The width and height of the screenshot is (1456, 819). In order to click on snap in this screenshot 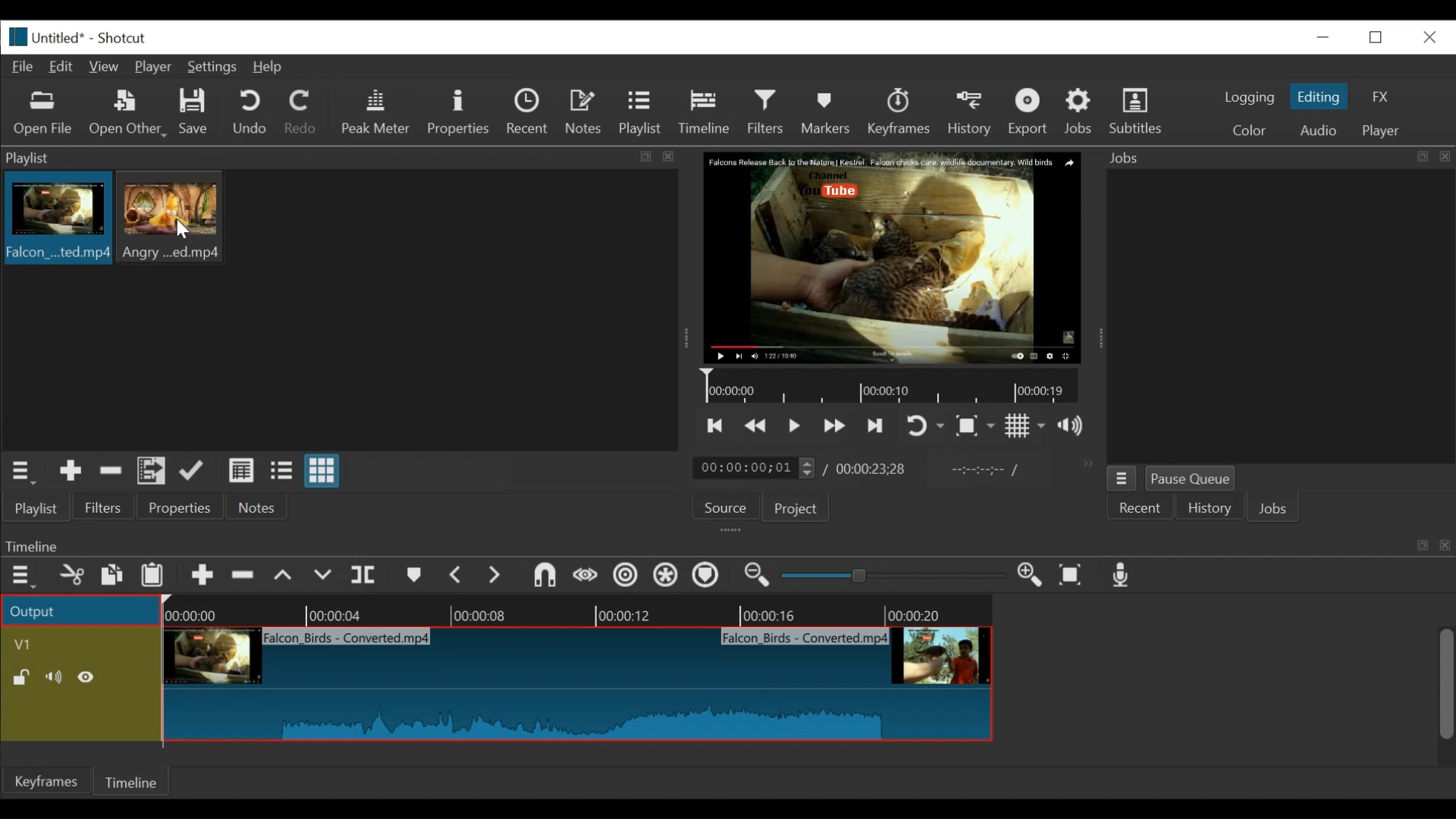, I will do `click(547, 577)`.